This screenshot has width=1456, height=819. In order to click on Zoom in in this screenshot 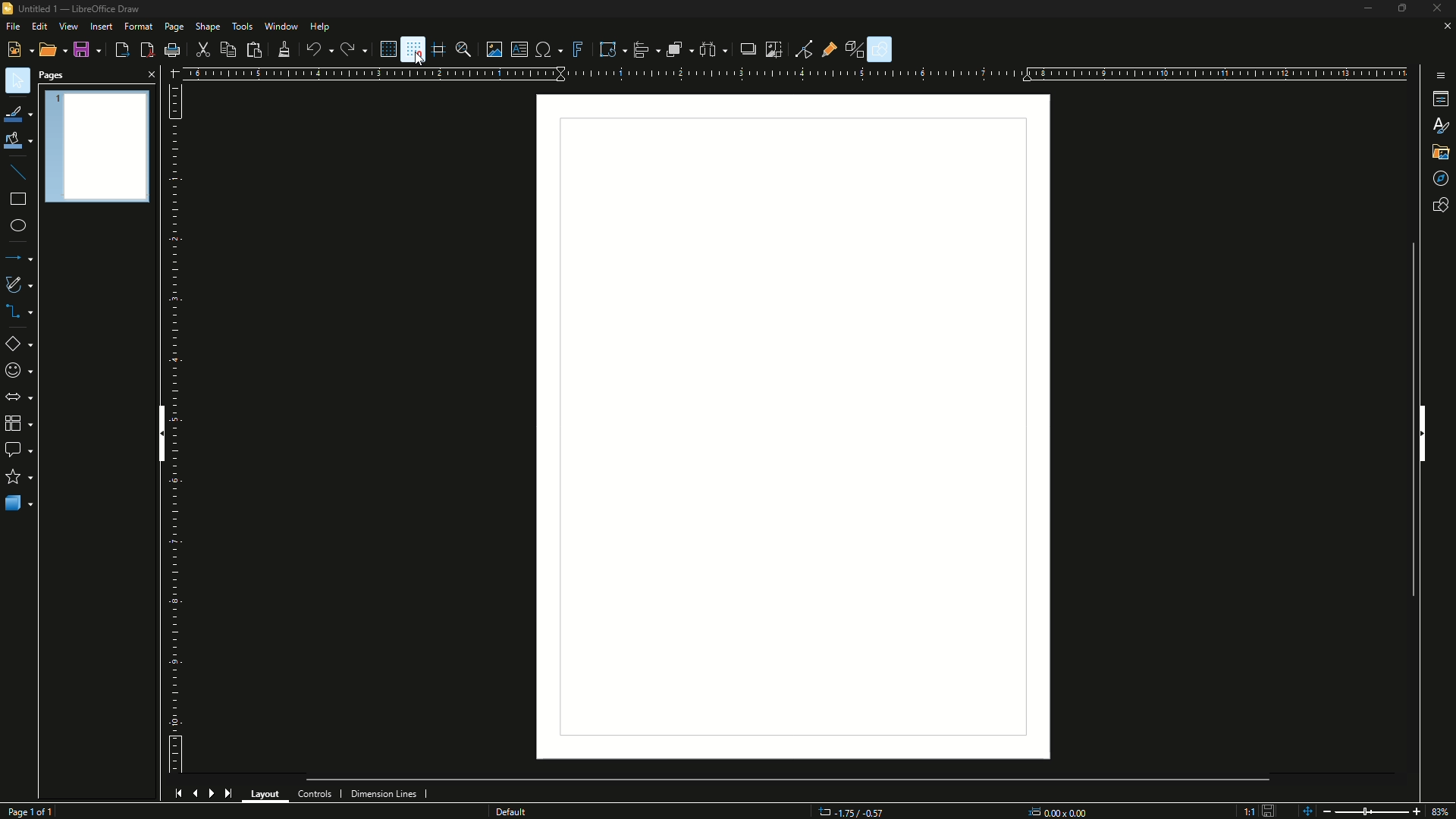, I will do `click(1417, 810)`.